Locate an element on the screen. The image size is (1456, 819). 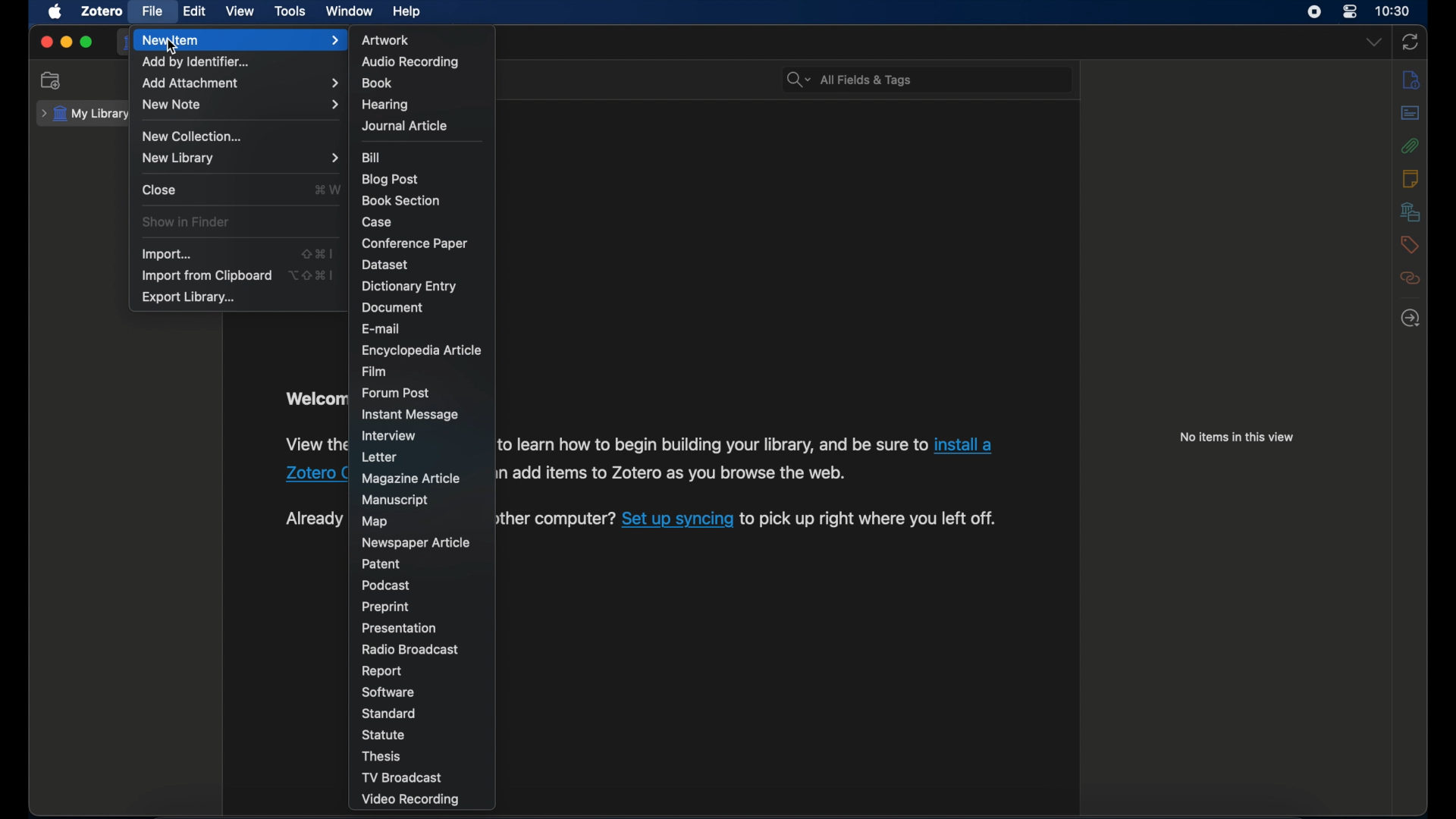
forum post is located at coordinates (397, 392).